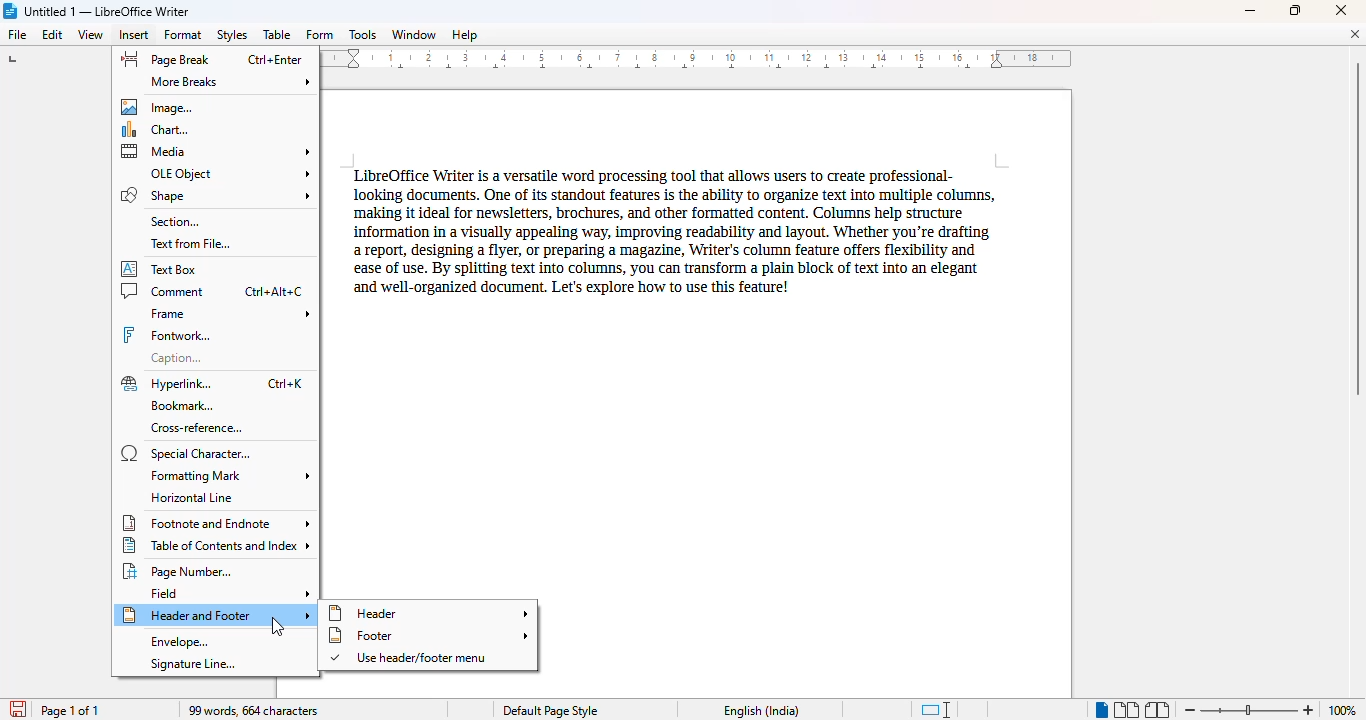 Image resolution: width=1366 pixels, height=720 pixels. I want to click on multi-page view, so click(1126, 710).